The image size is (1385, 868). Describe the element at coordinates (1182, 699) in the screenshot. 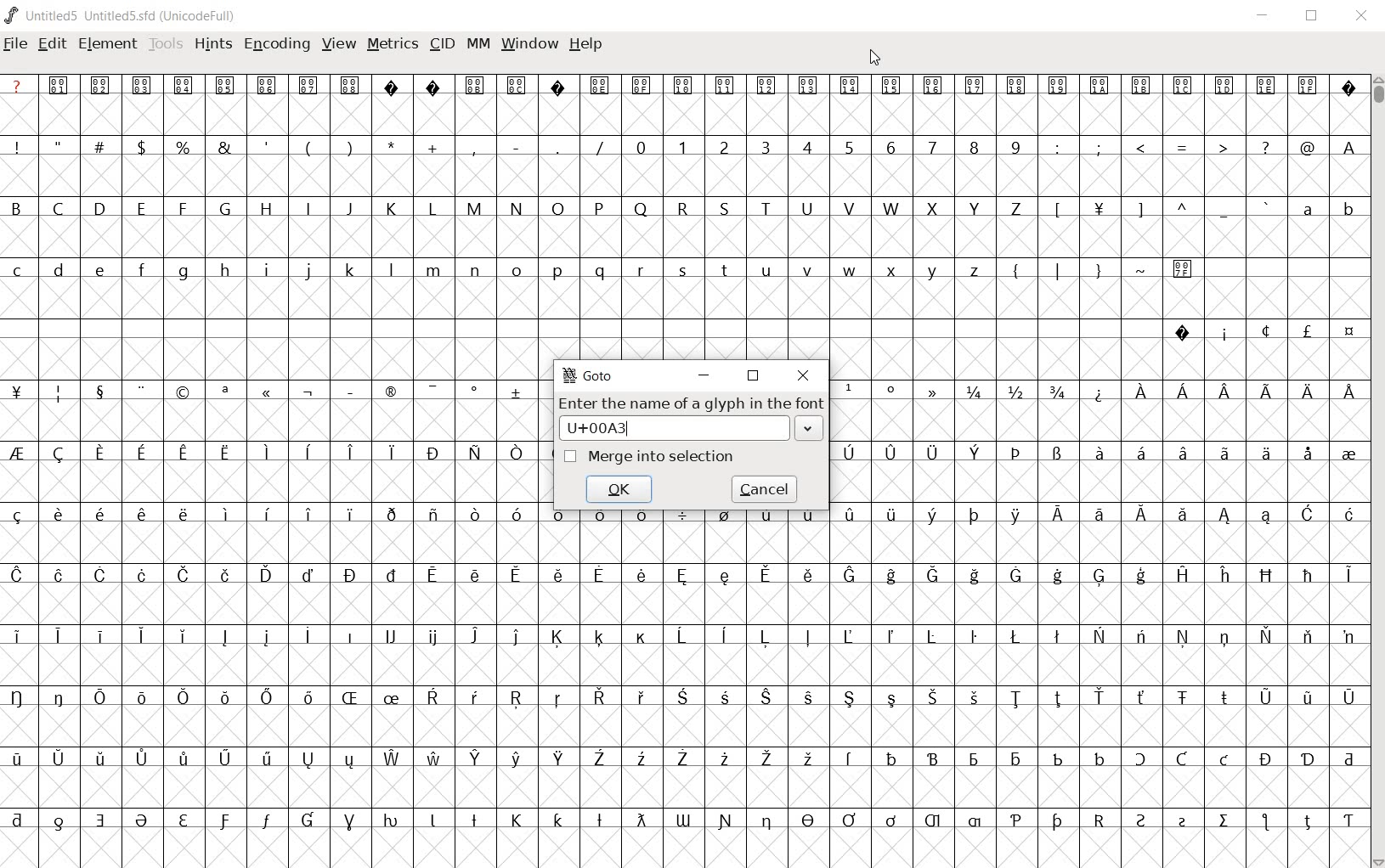

I see `Symbol` at that location.